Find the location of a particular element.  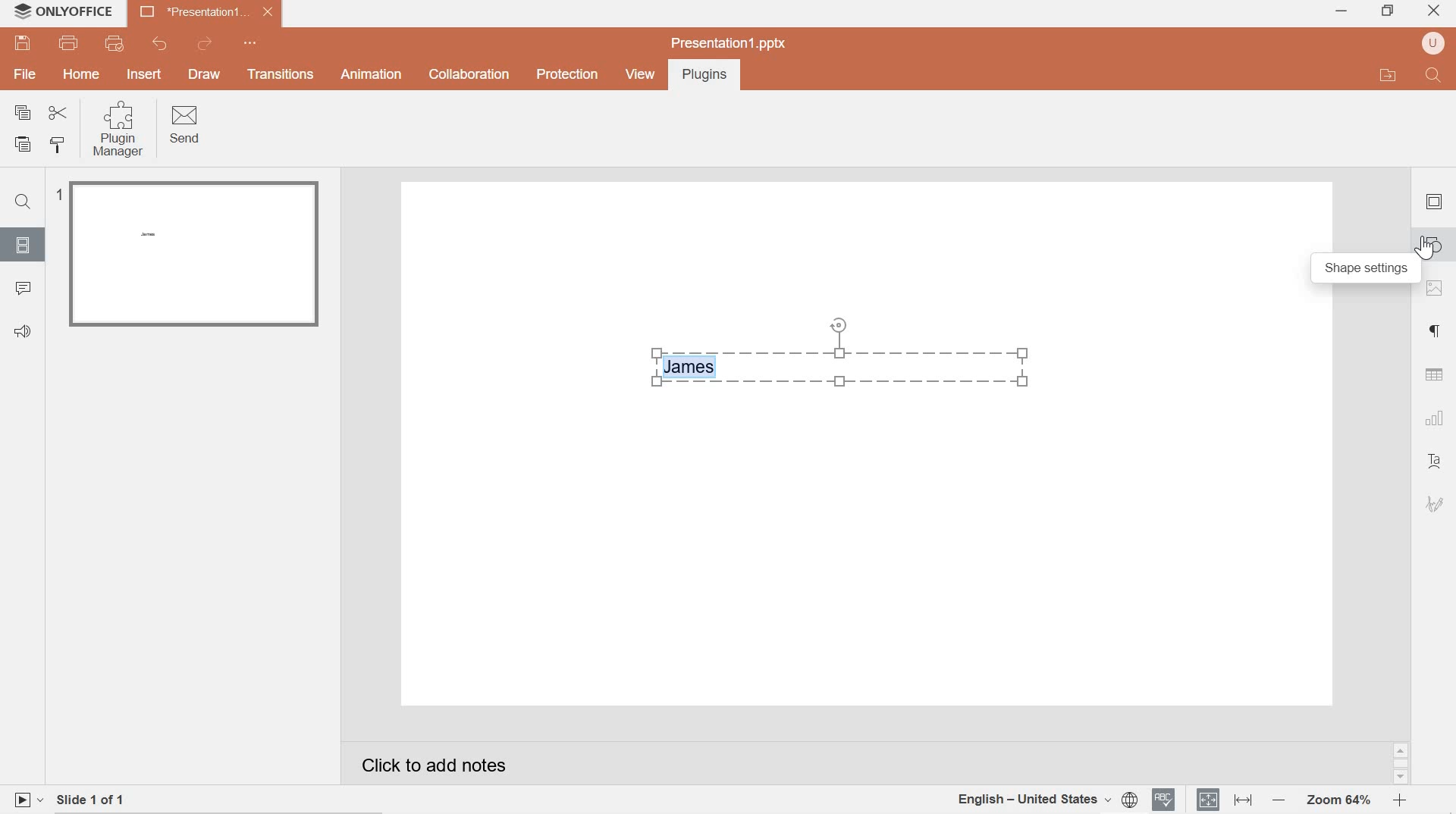

cursor is located at coordinates (1423, 250).